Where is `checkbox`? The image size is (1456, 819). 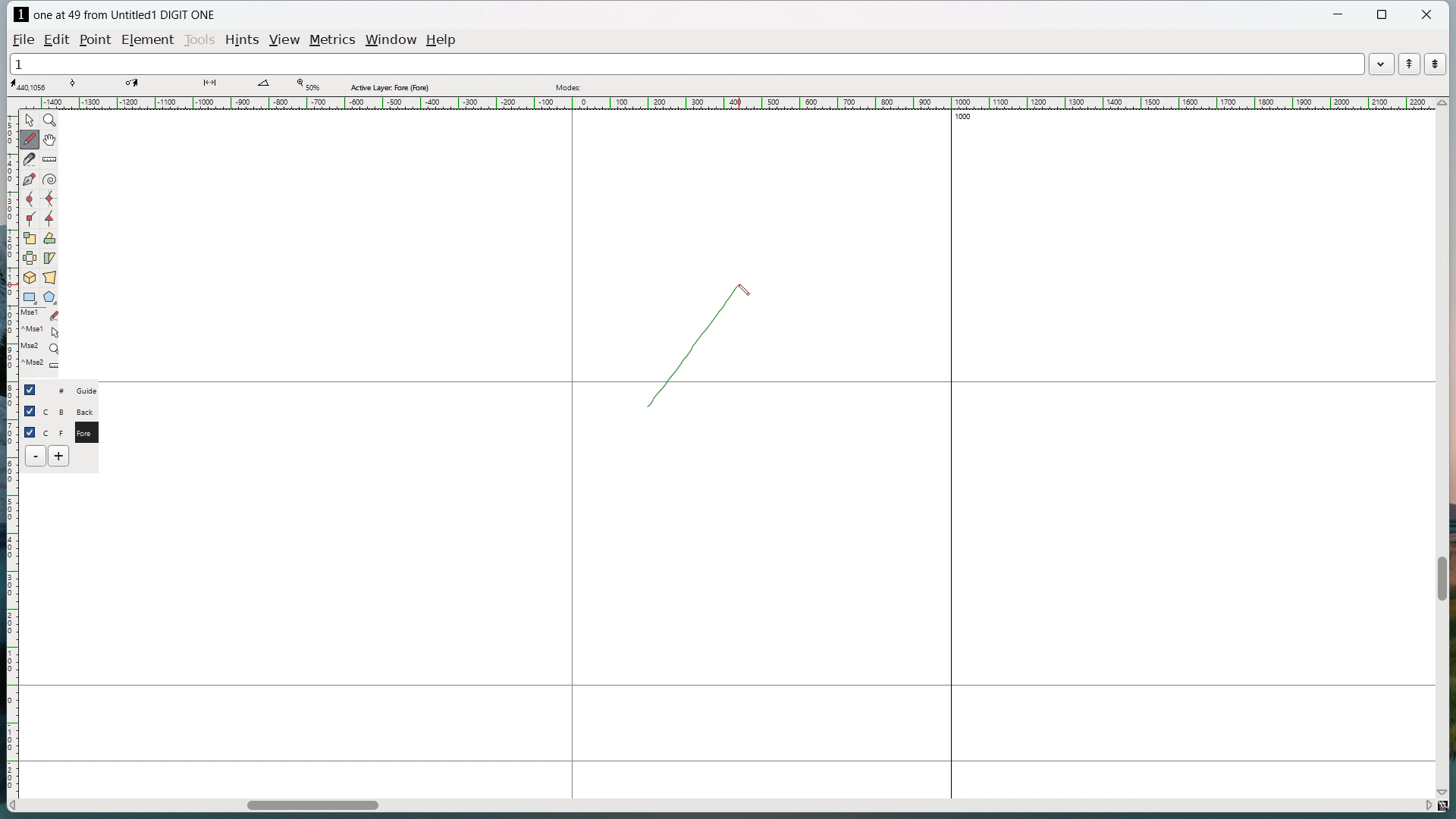 checkbox is located at coordinates (33, 389).